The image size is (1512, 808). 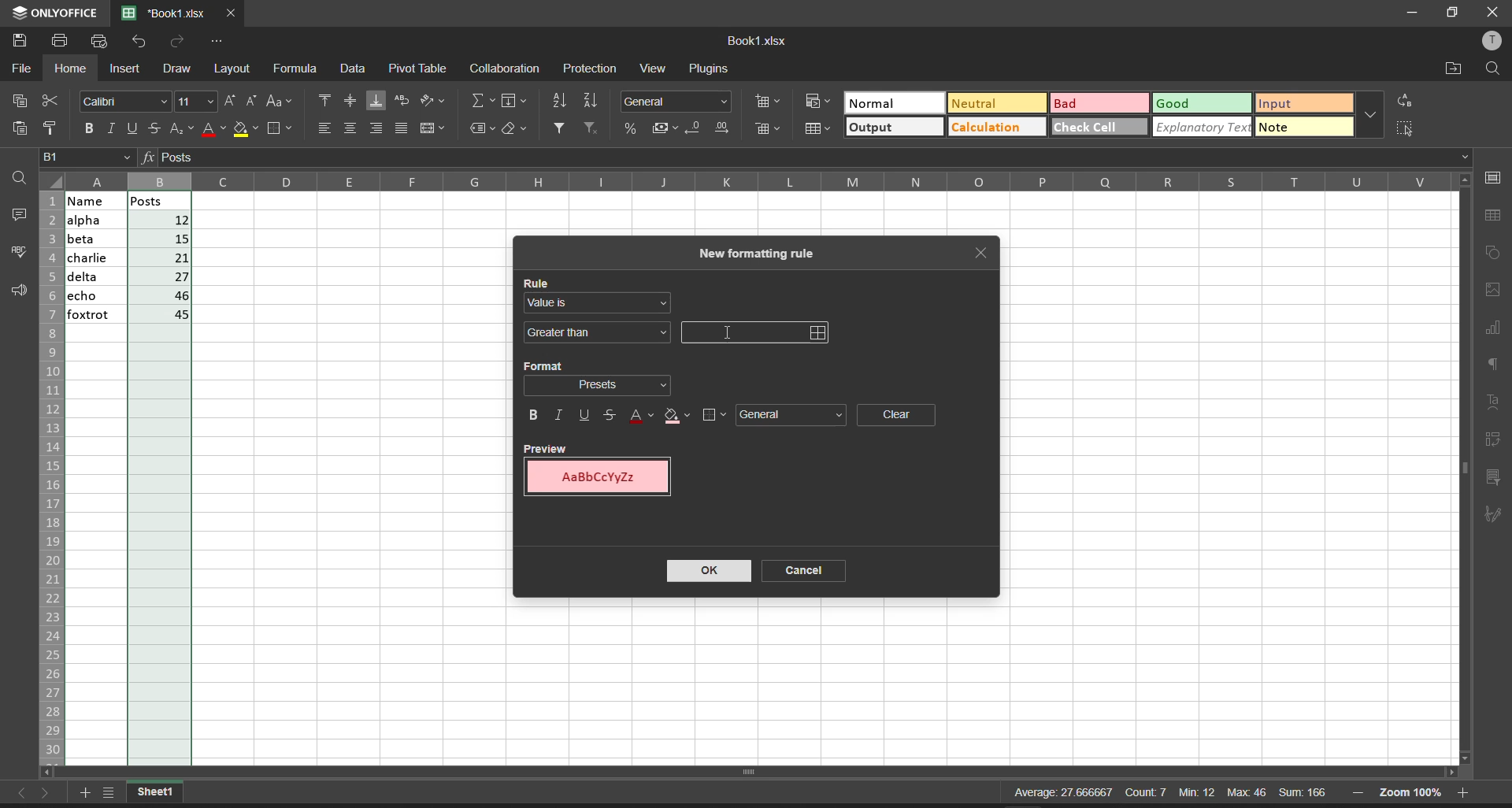 I want to click on text color, so click(x=642, y=417).